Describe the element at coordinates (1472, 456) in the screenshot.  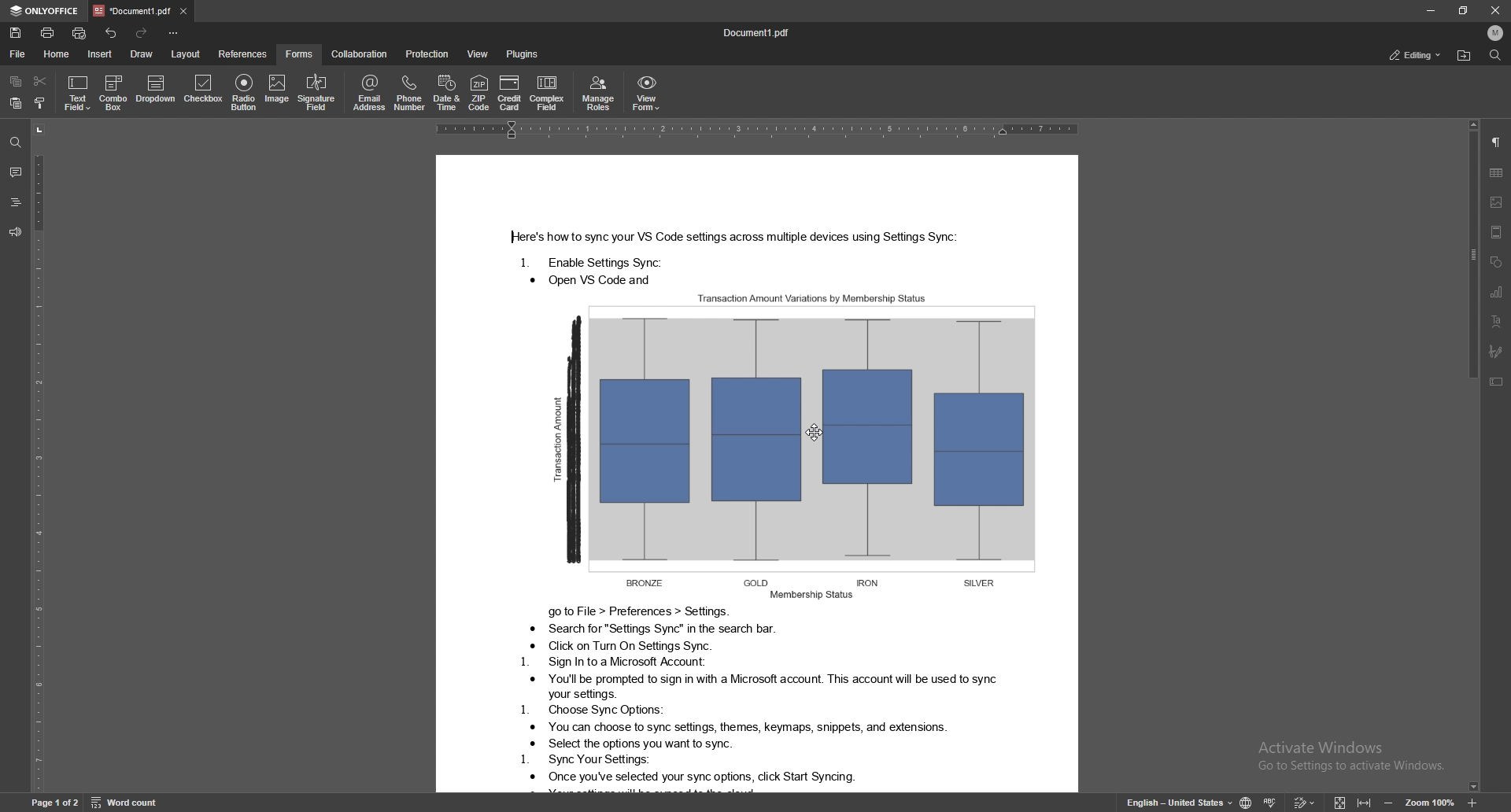
I see `scroll bar` at that location.